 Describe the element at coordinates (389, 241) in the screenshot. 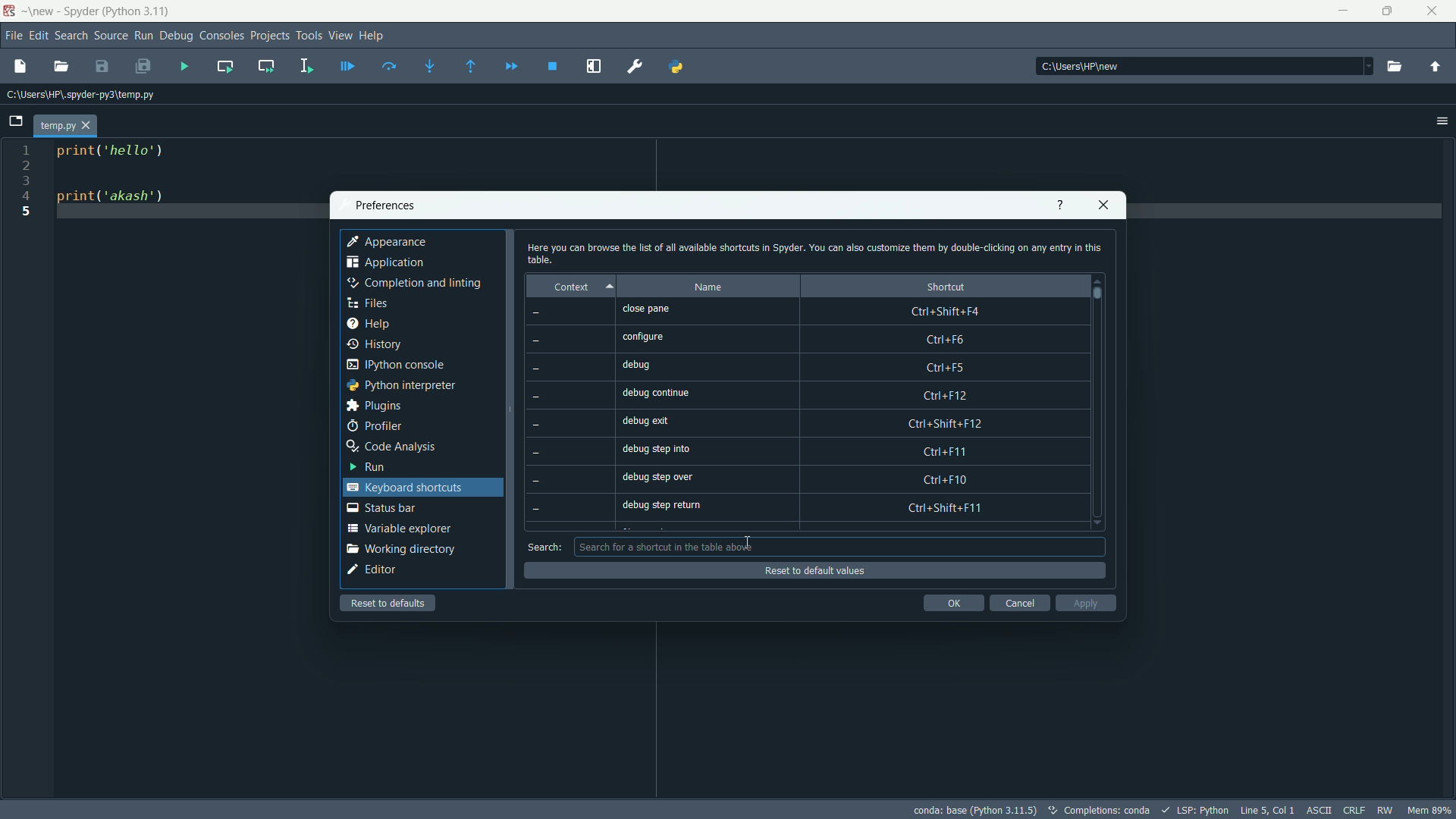

I see `appearance` at that location.